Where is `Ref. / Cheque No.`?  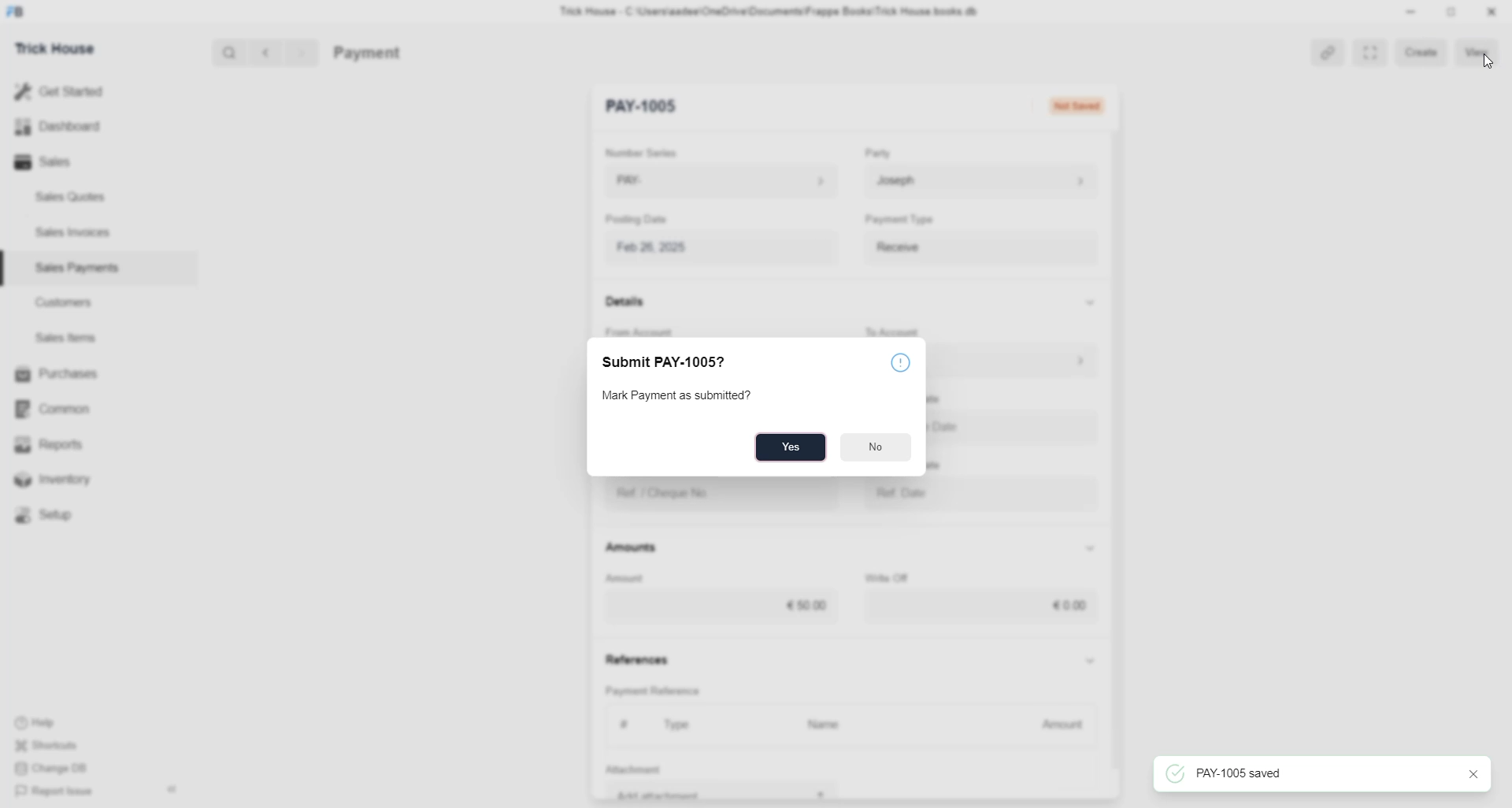 Ref. / Cheque No. is located at coordinates (724, 495).